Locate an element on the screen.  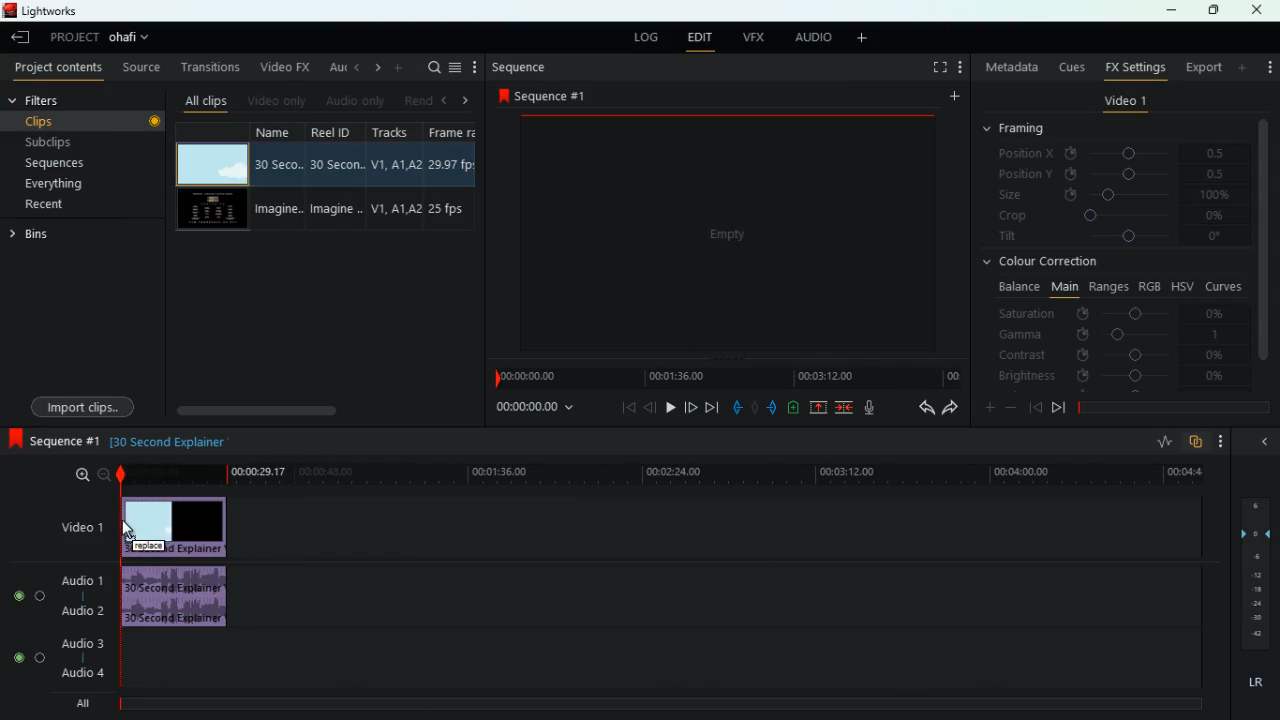
tilt is located at coordinates (1113, 238).